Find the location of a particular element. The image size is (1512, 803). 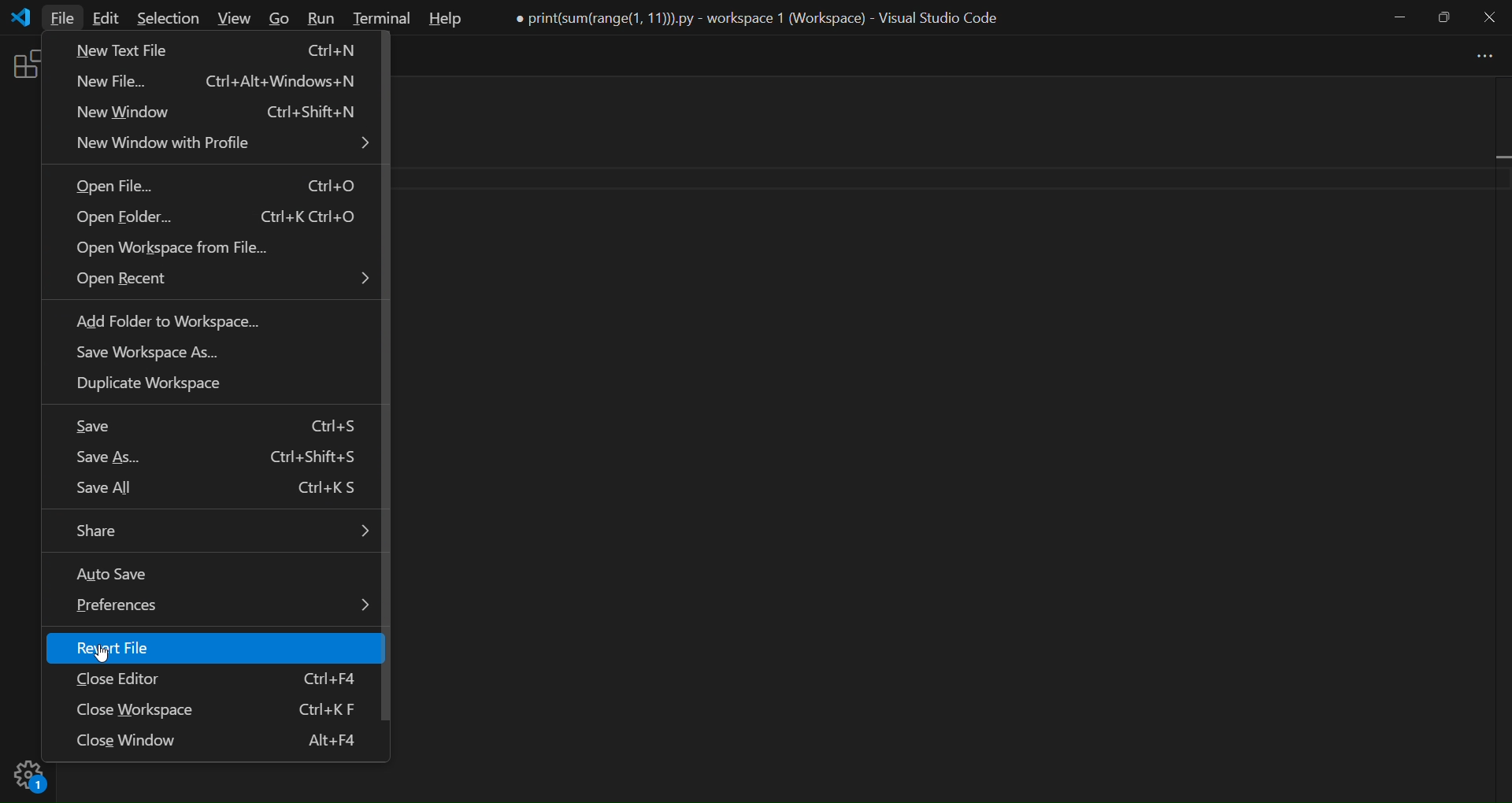

close editor is located at coordinates (225, 678).